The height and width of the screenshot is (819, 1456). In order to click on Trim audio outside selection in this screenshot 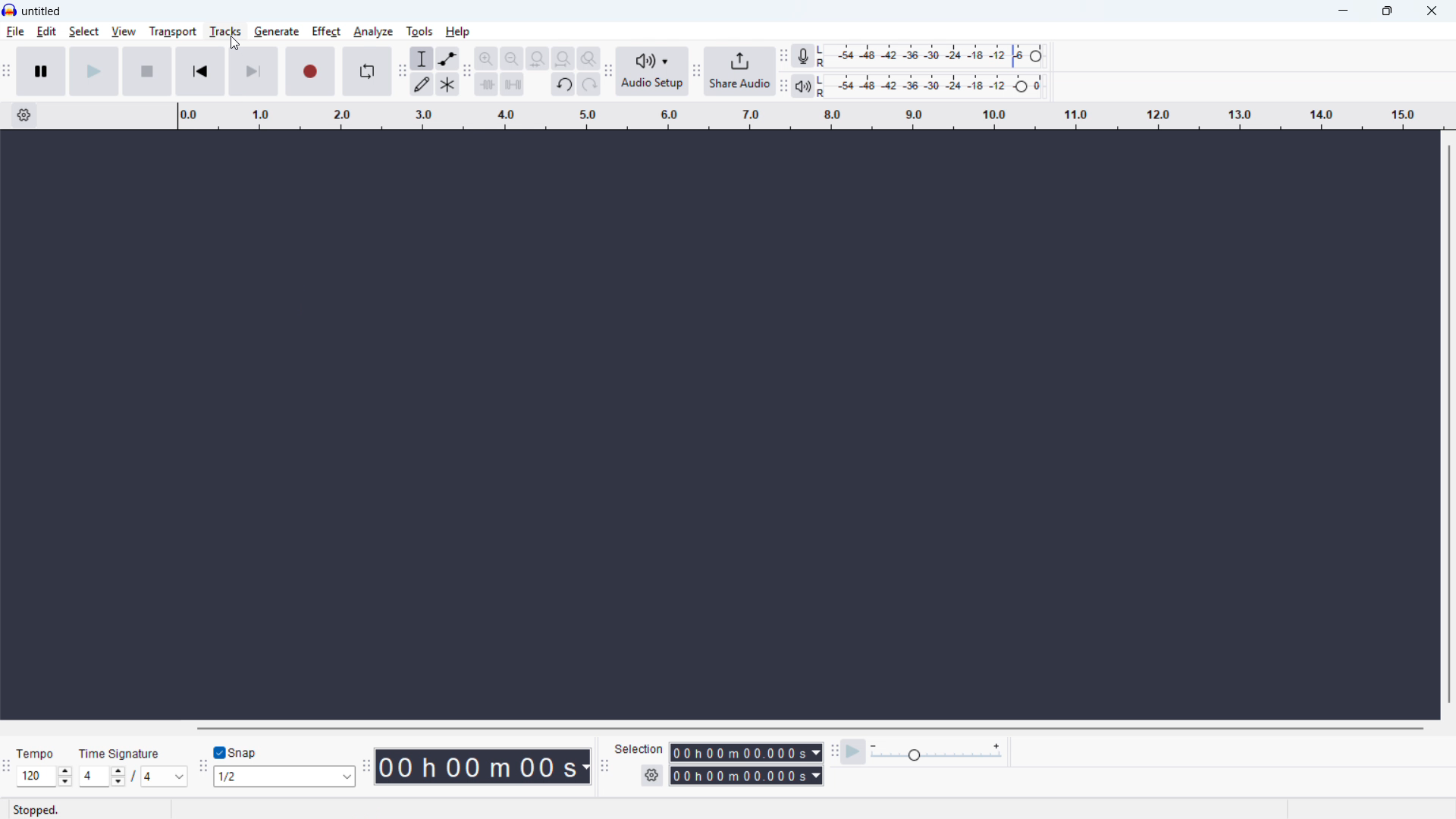, I will do `click(487, 85)`.